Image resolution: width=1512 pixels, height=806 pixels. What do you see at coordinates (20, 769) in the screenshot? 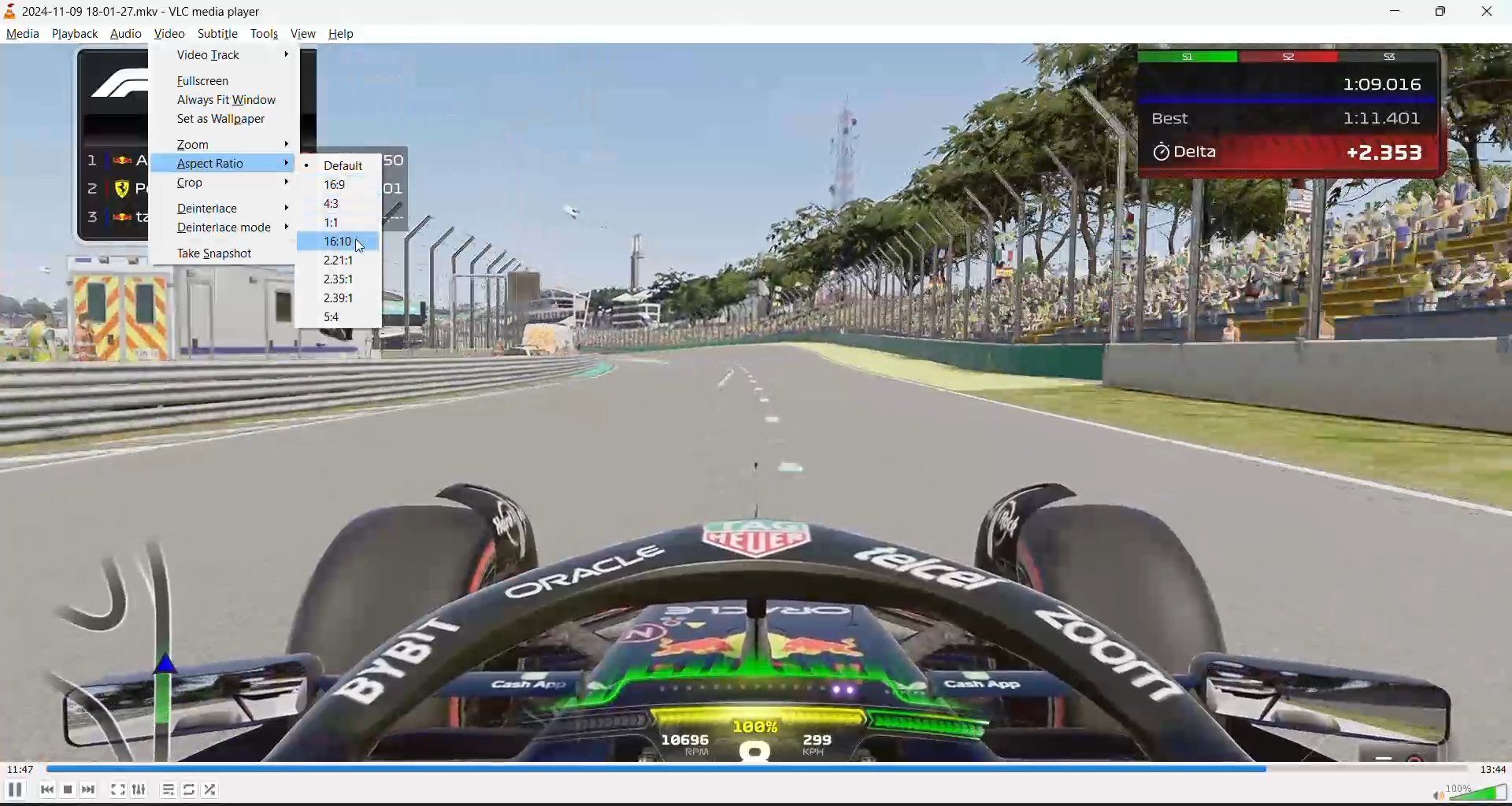
I see `current track time` at bounding box center [20, 769].